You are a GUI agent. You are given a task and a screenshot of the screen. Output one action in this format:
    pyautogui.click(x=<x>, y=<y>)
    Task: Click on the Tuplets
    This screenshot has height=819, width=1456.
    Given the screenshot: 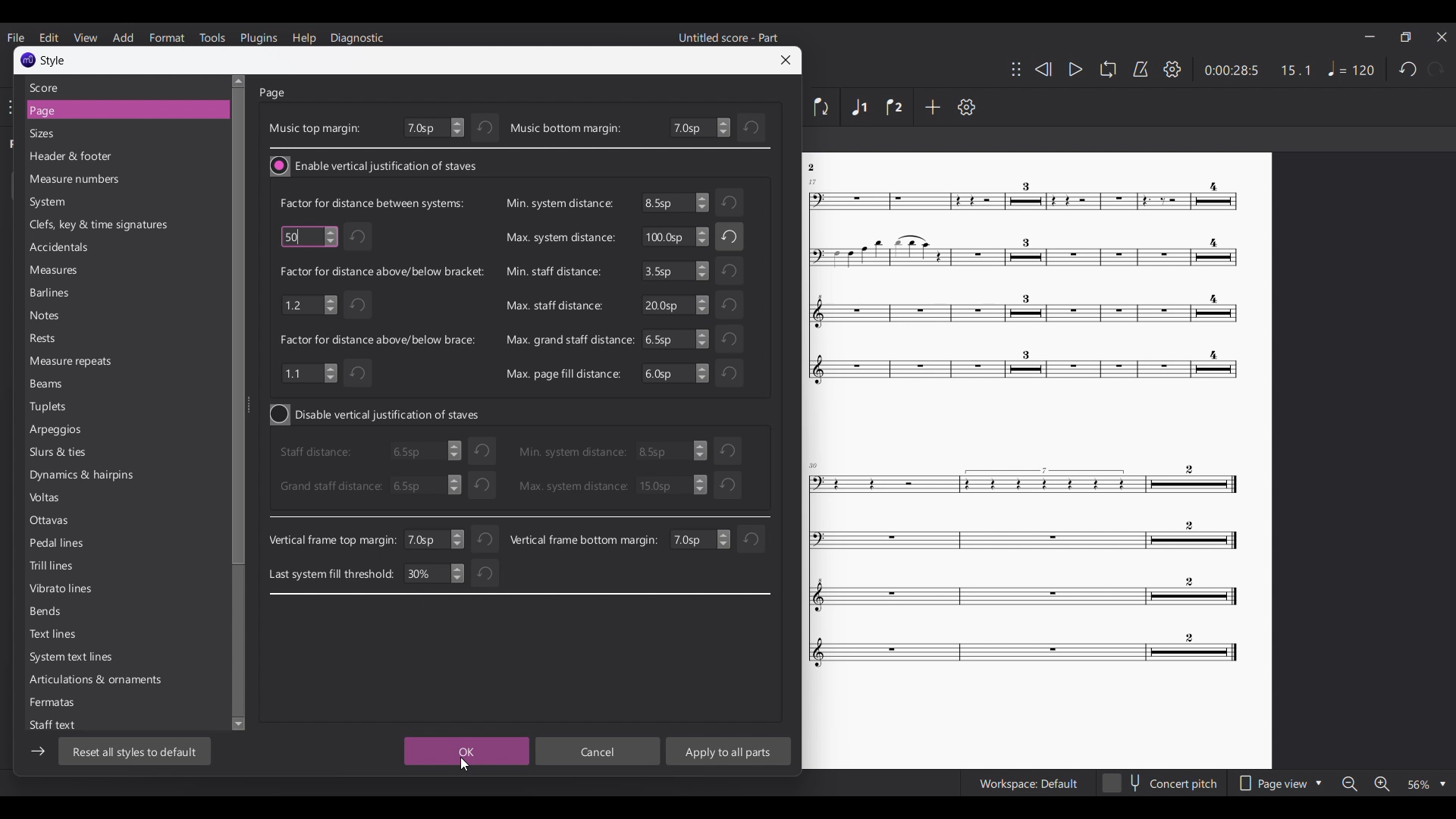 What is the action you would take?
    pyautogui.click(x=71, y=406)
    